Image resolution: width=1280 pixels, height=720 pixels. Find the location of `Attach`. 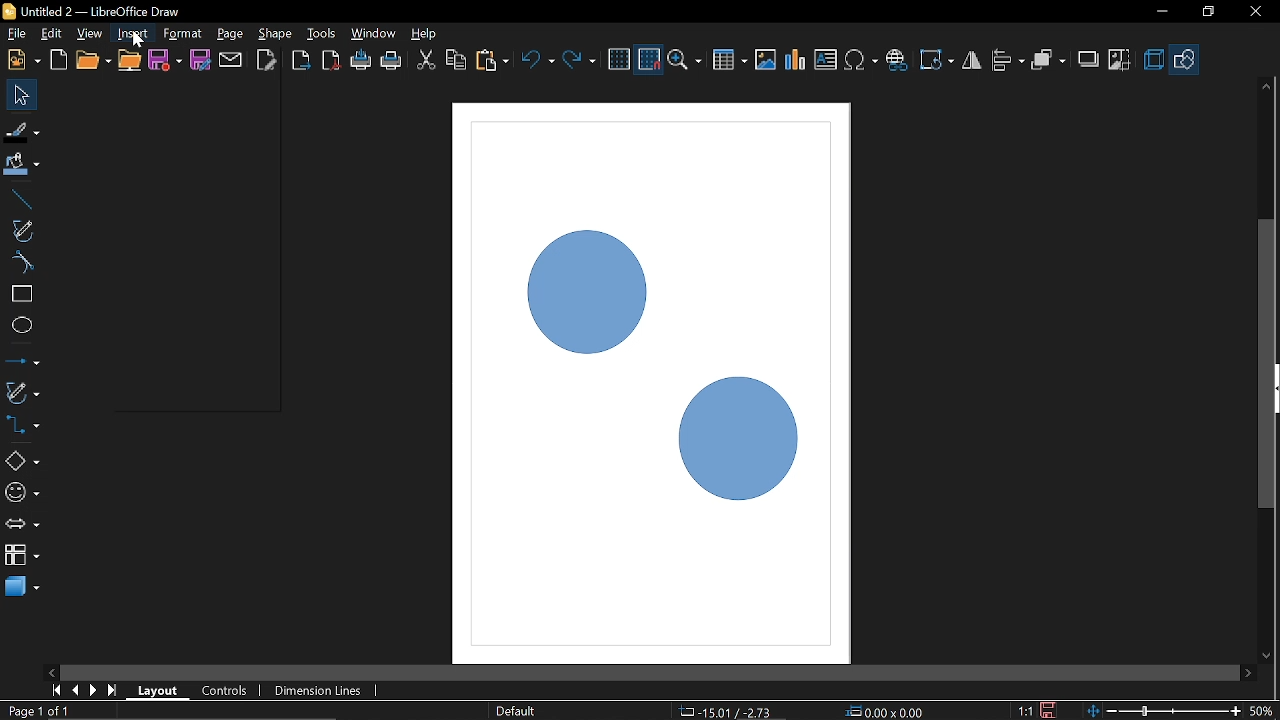

Attach is located at coordinates (232, 59).